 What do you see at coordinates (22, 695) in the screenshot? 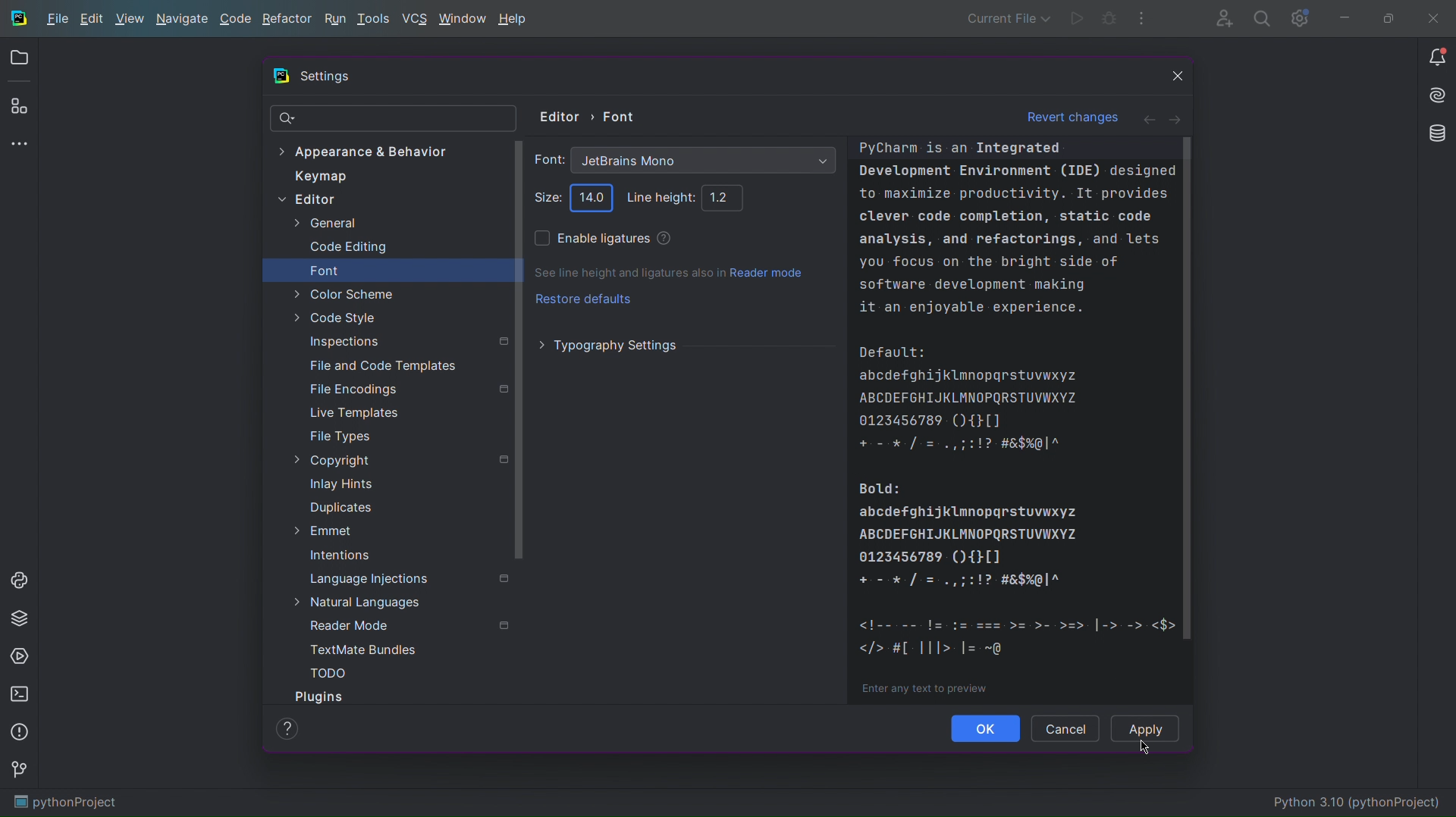
I see `Terminal` at bounding box center [22, 695].